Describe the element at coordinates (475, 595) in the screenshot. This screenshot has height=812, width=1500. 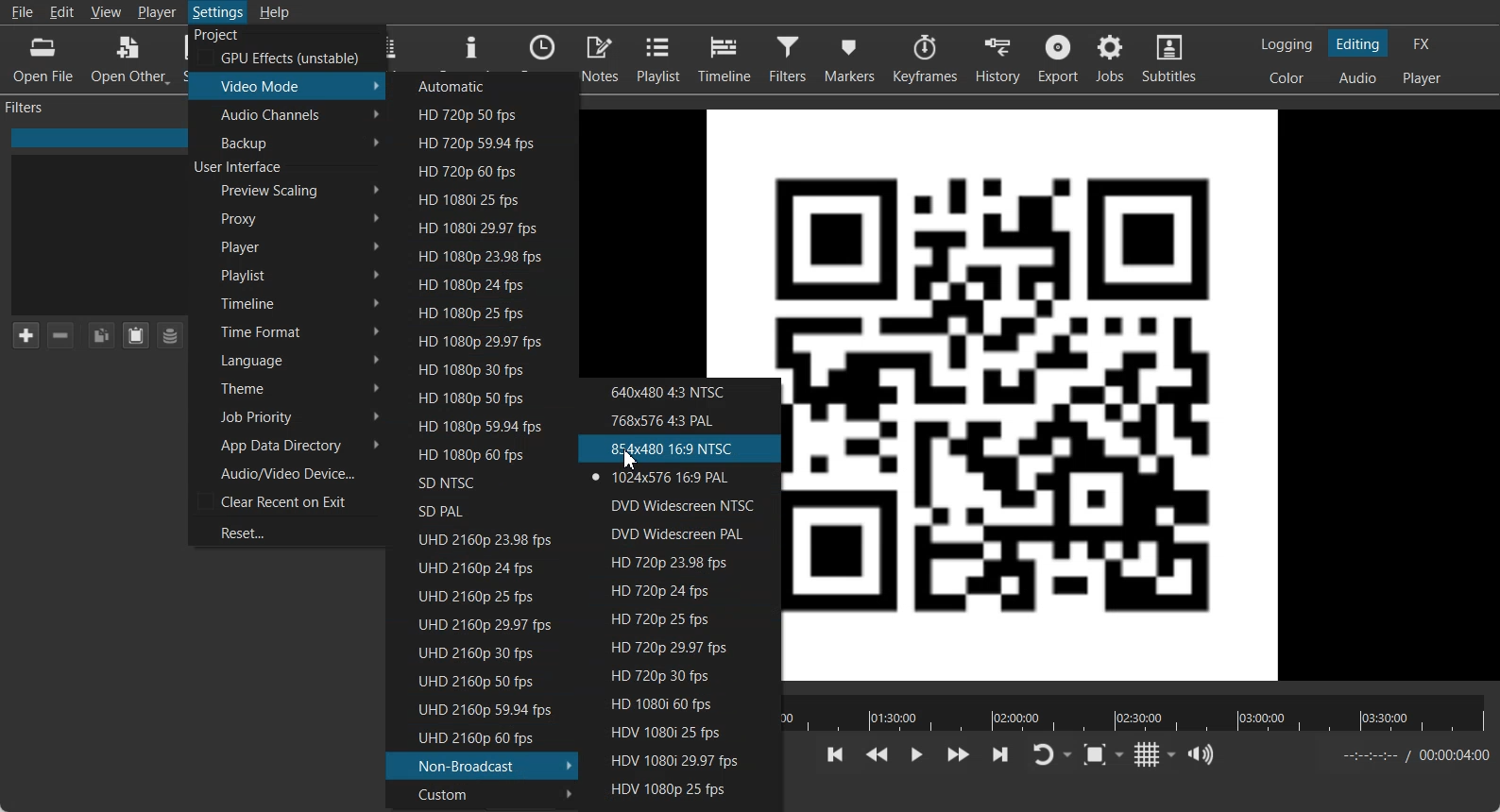
I see `UHD 2160p 25 fps` at that location.